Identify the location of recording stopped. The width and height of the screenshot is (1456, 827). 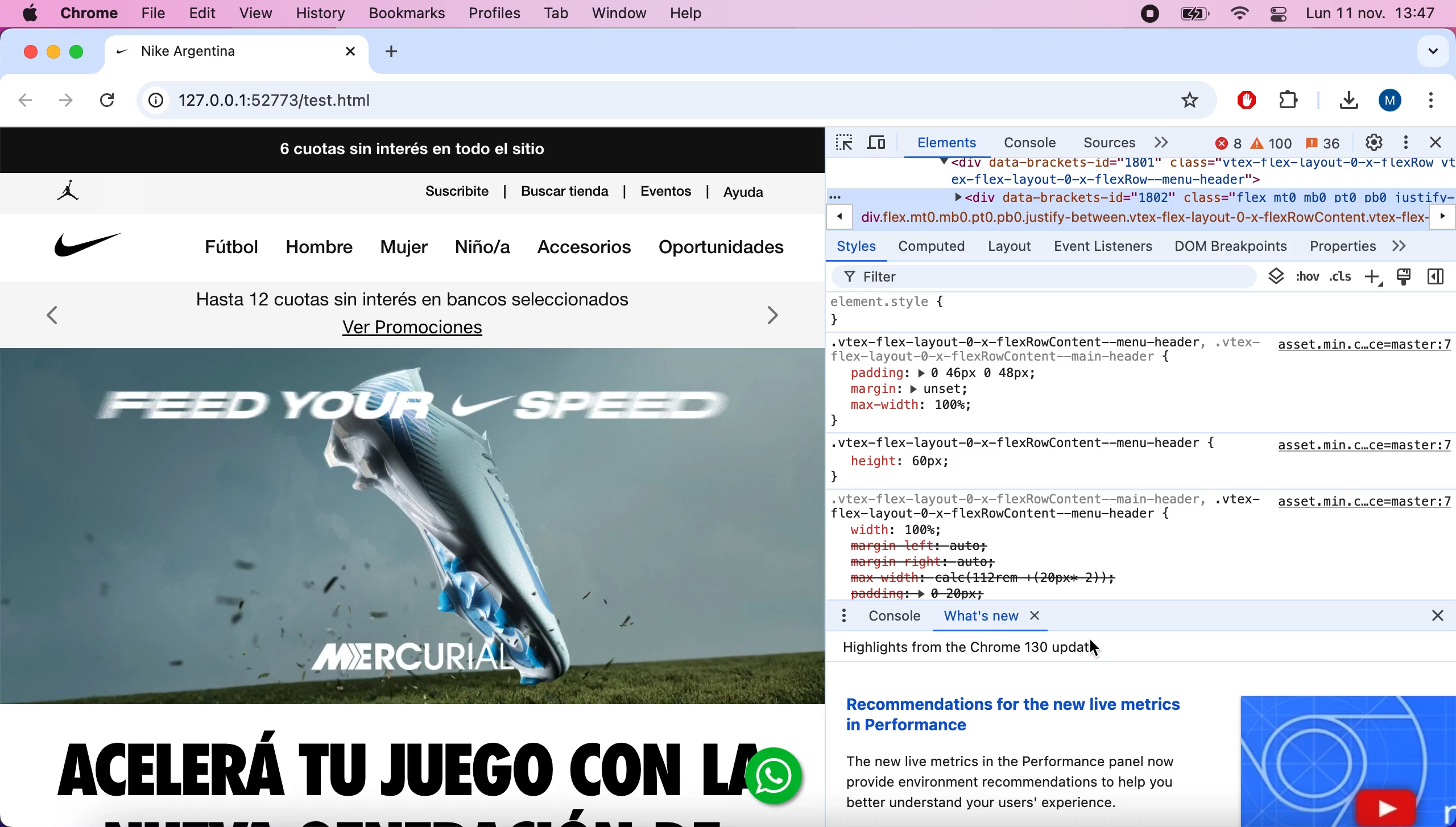
(1148, 15).